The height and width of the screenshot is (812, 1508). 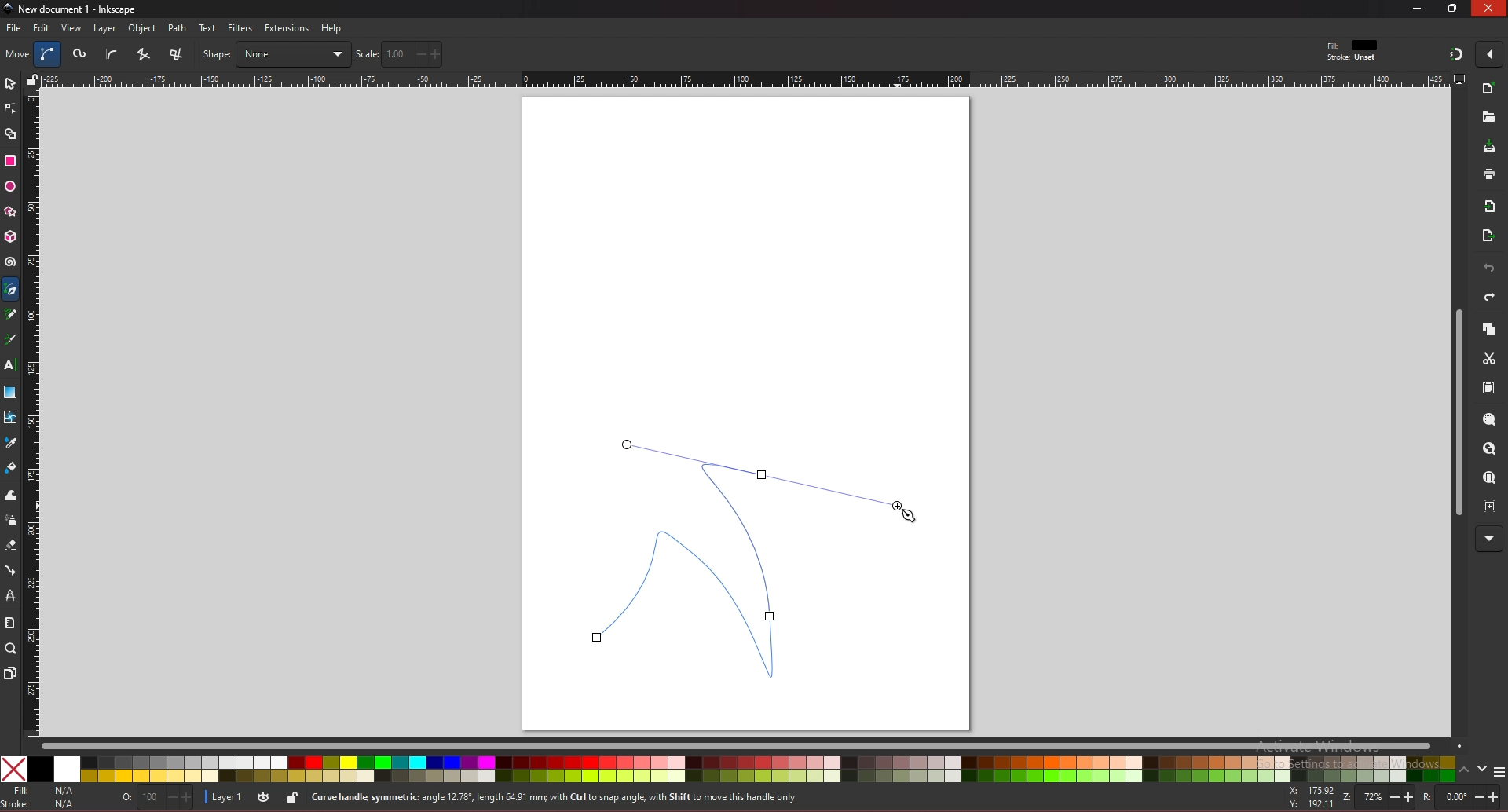 What do you see at coordinates (741, 561) in the screenshot?
I see `bezier curve` at bounding box center [741, 561].